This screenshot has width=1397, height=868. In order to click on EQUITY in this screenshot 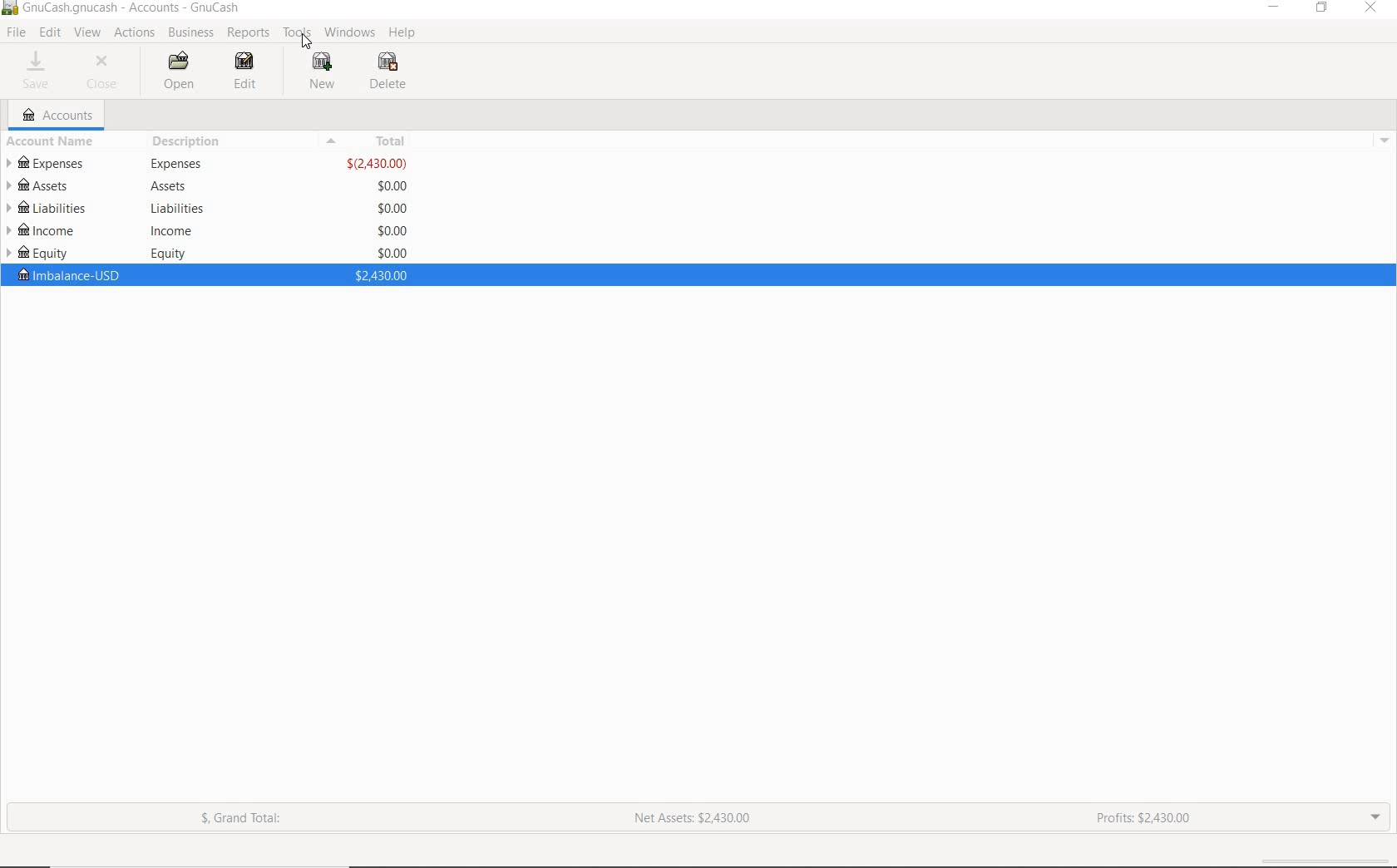, I will do `click(47, 253)`.